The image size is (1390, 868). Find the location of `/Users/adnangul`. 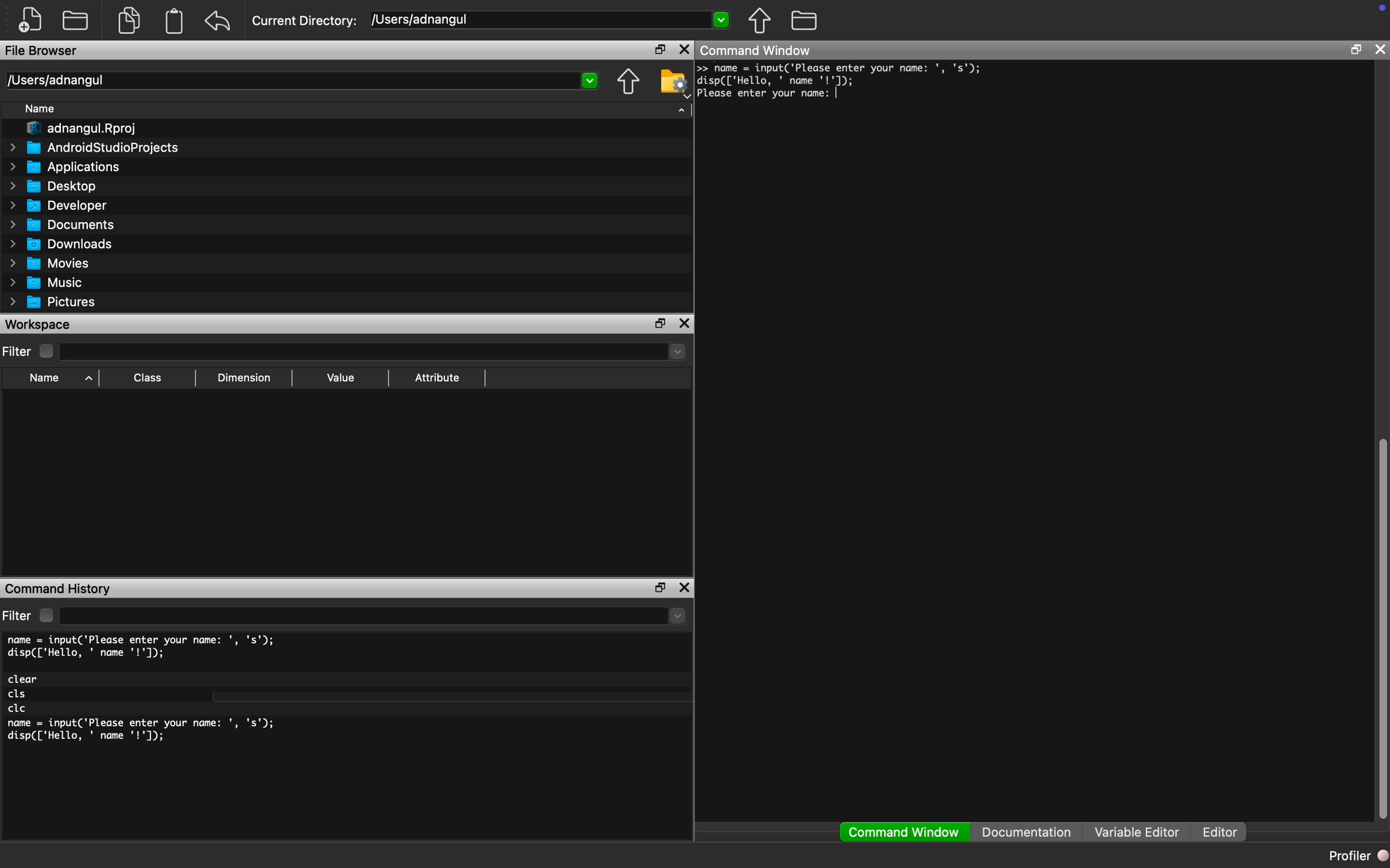

/Users/adnangul is located at coordinates (422, 19).